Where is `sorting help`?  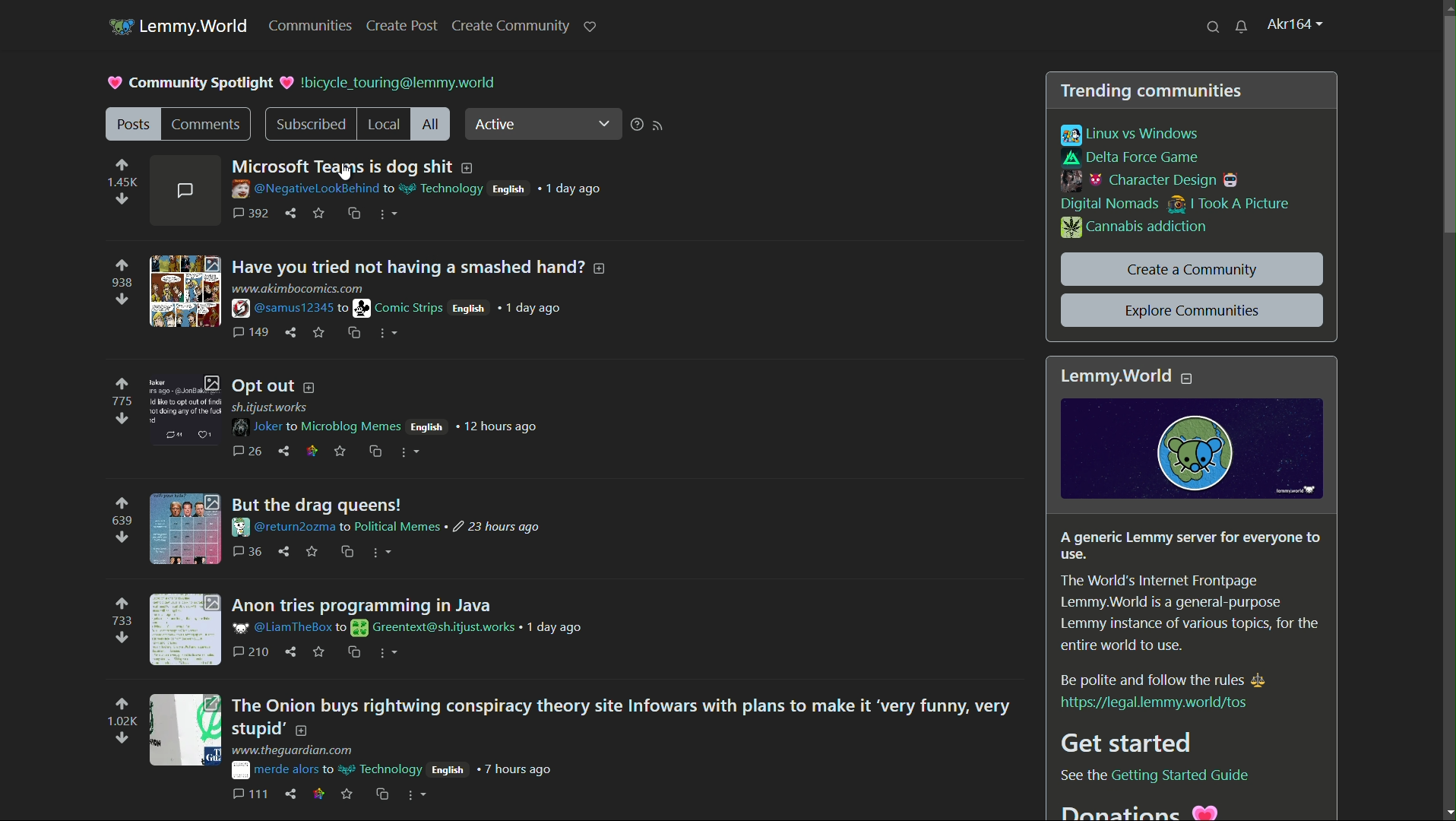 sorting help is located at coordinates (638, 126).